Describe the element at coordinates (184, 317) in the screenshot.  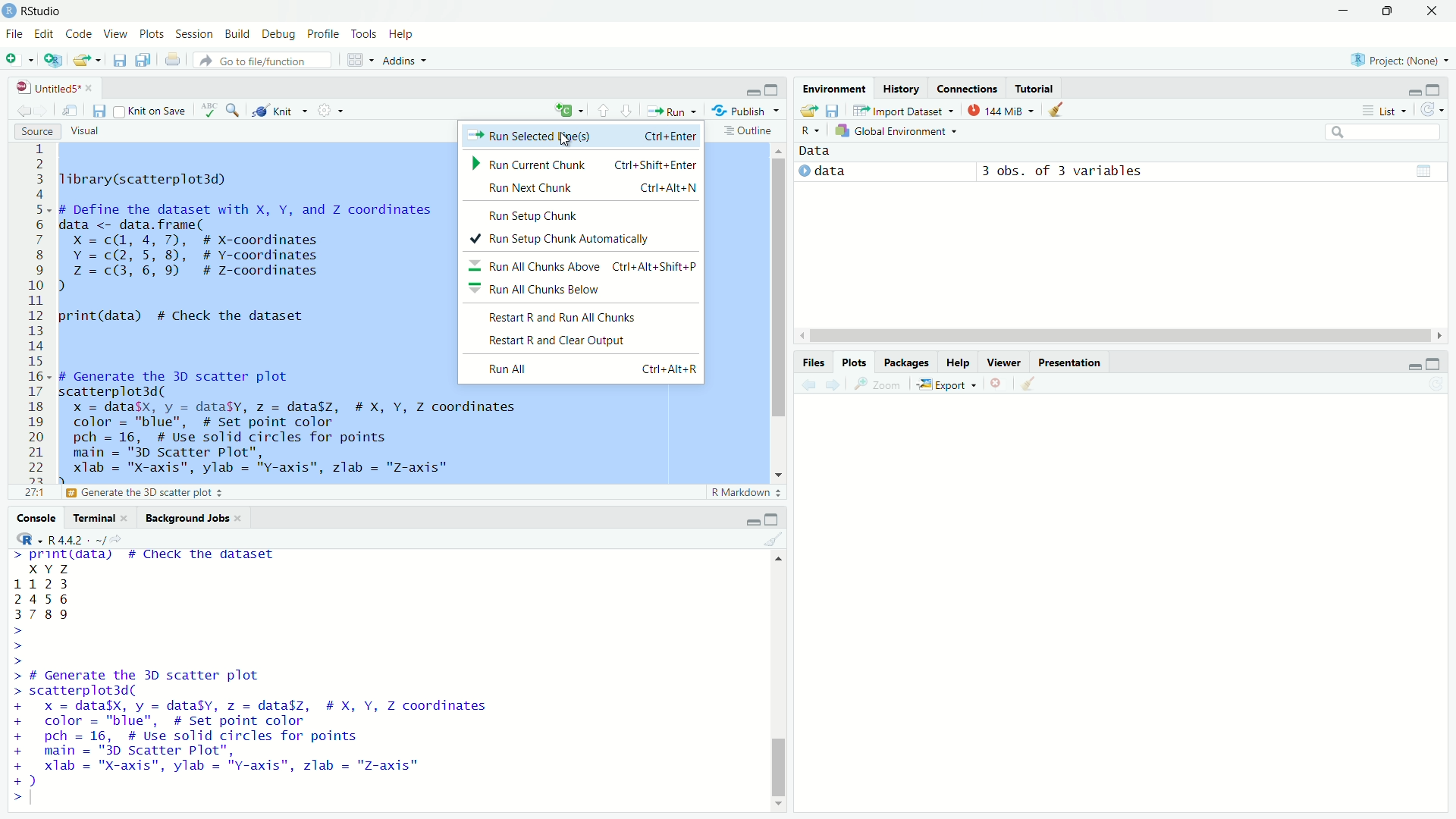
I see `orint(data) # Check the dataset` at that location.